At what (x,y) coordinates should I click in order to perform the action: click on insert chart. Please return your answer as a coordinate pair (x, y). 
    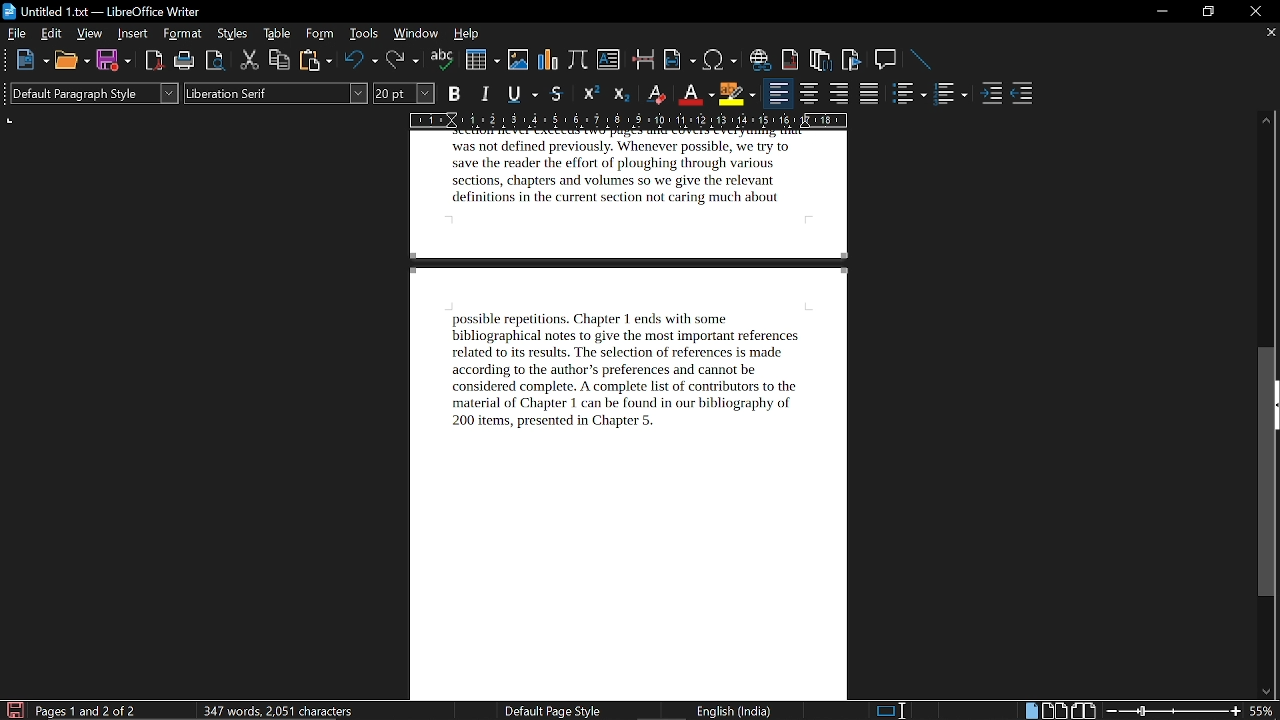
    Looking at the image, I should click on (549, 62).